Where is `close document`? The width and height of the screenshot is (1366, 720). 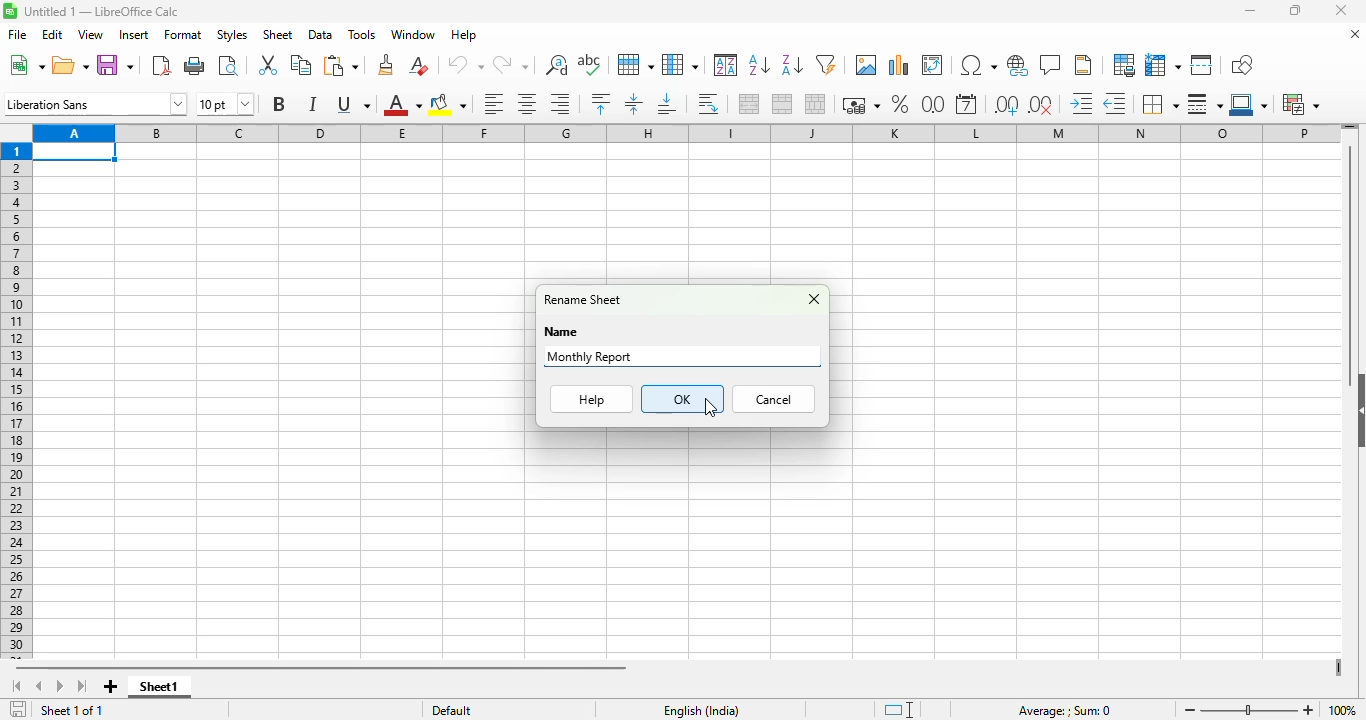
close document is located at coordinates (1354, 34).